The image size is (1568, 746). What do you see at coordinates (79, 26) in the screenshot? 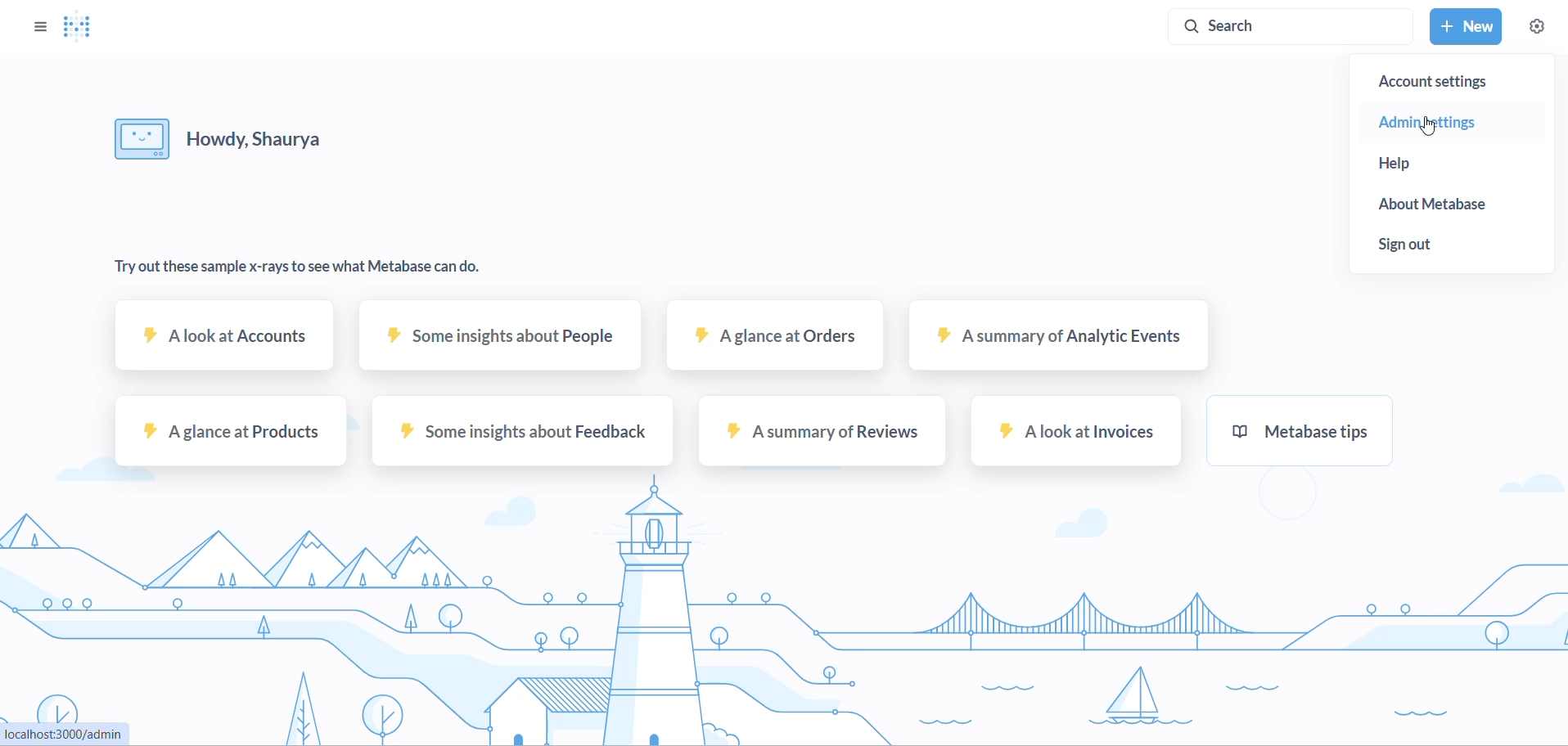
I see `LOGO` at bounding box center [79, 26].